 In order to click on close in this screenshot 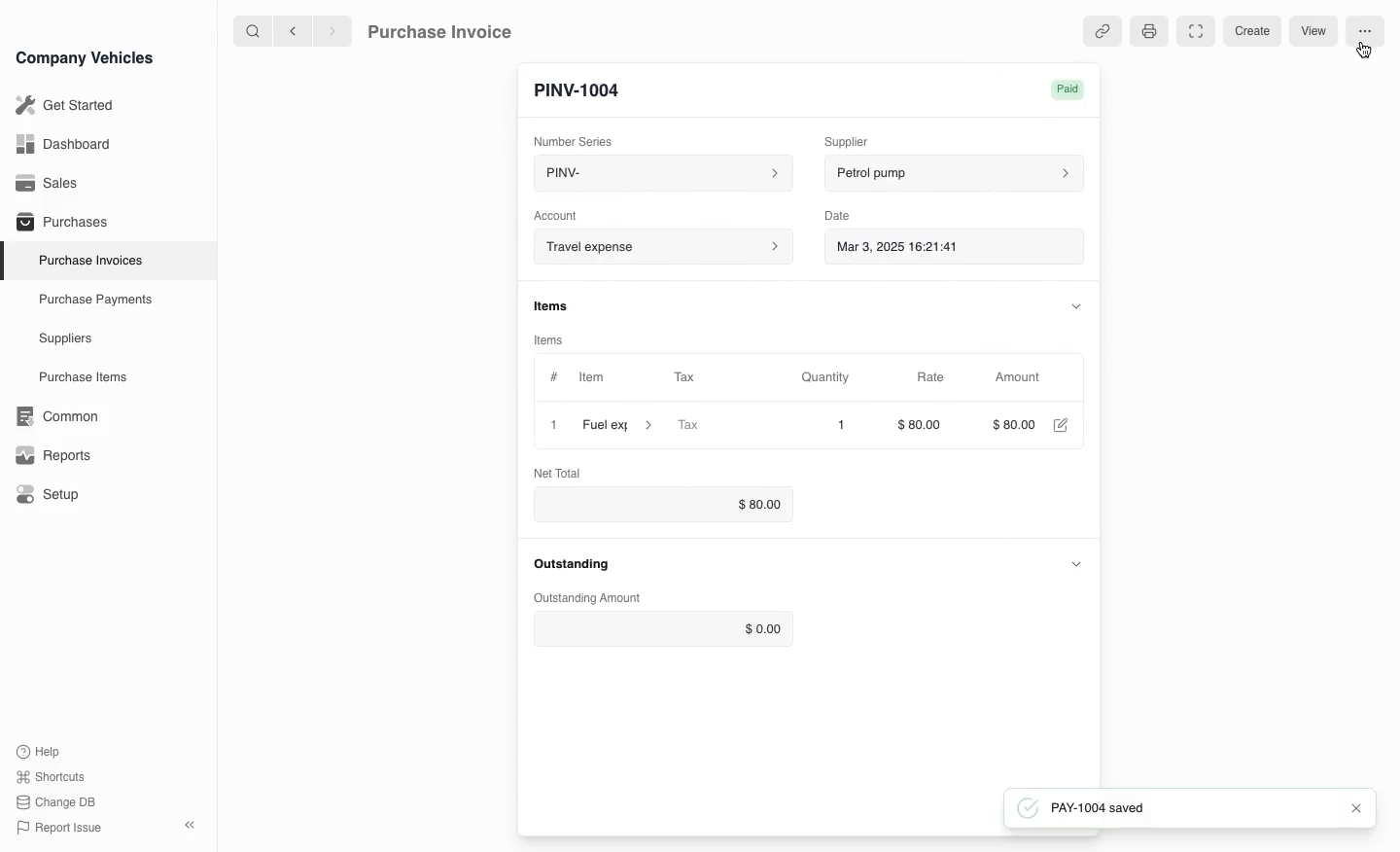, I will do `click(1360, 808)`.